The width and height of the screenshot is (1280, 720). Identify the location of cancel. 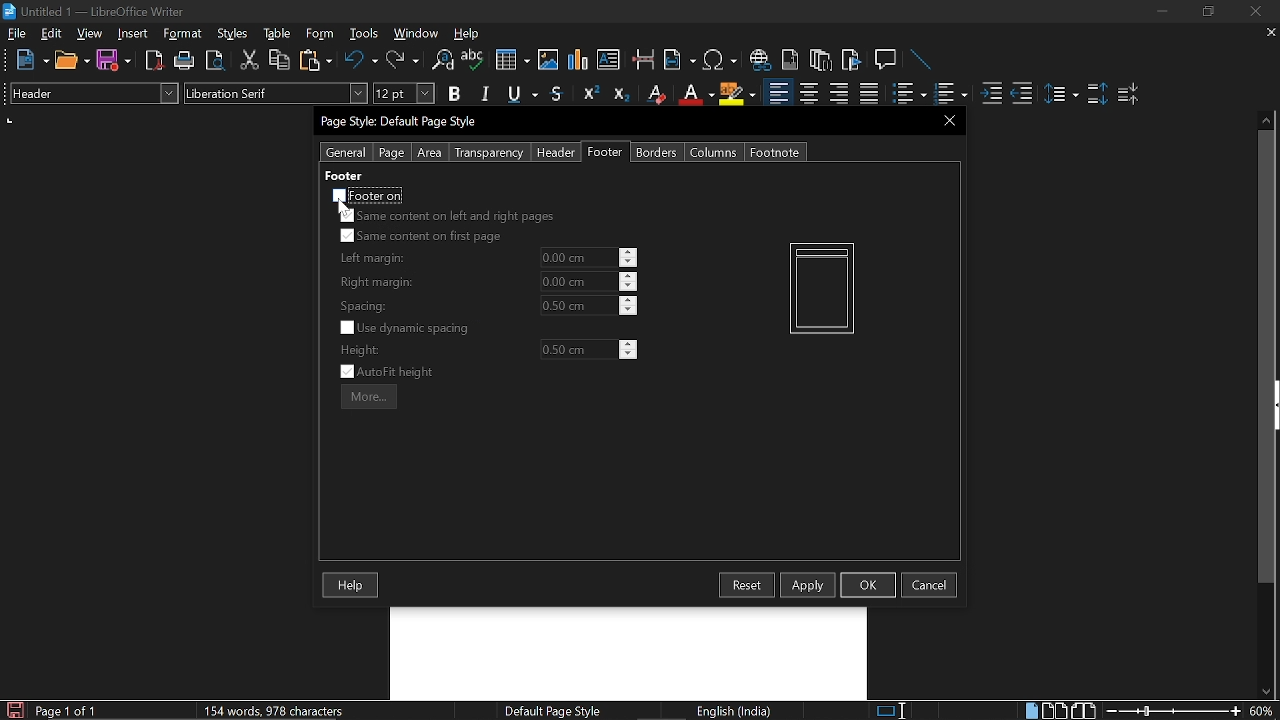
(929, 585).